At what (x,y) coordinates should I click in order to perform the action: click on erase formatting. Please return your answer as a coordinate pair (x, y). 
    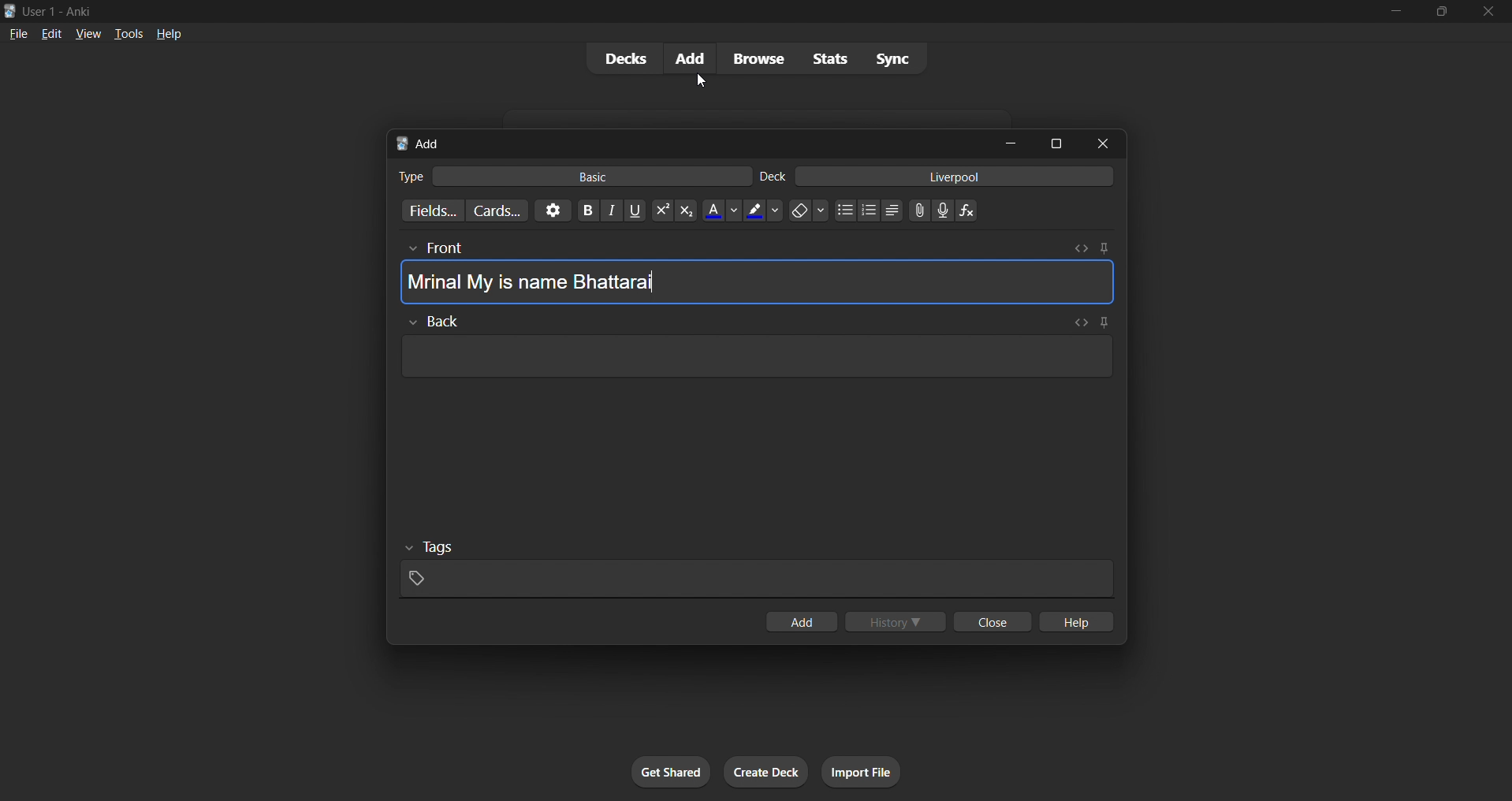
    Looking at the image, I should click on (803, 211).